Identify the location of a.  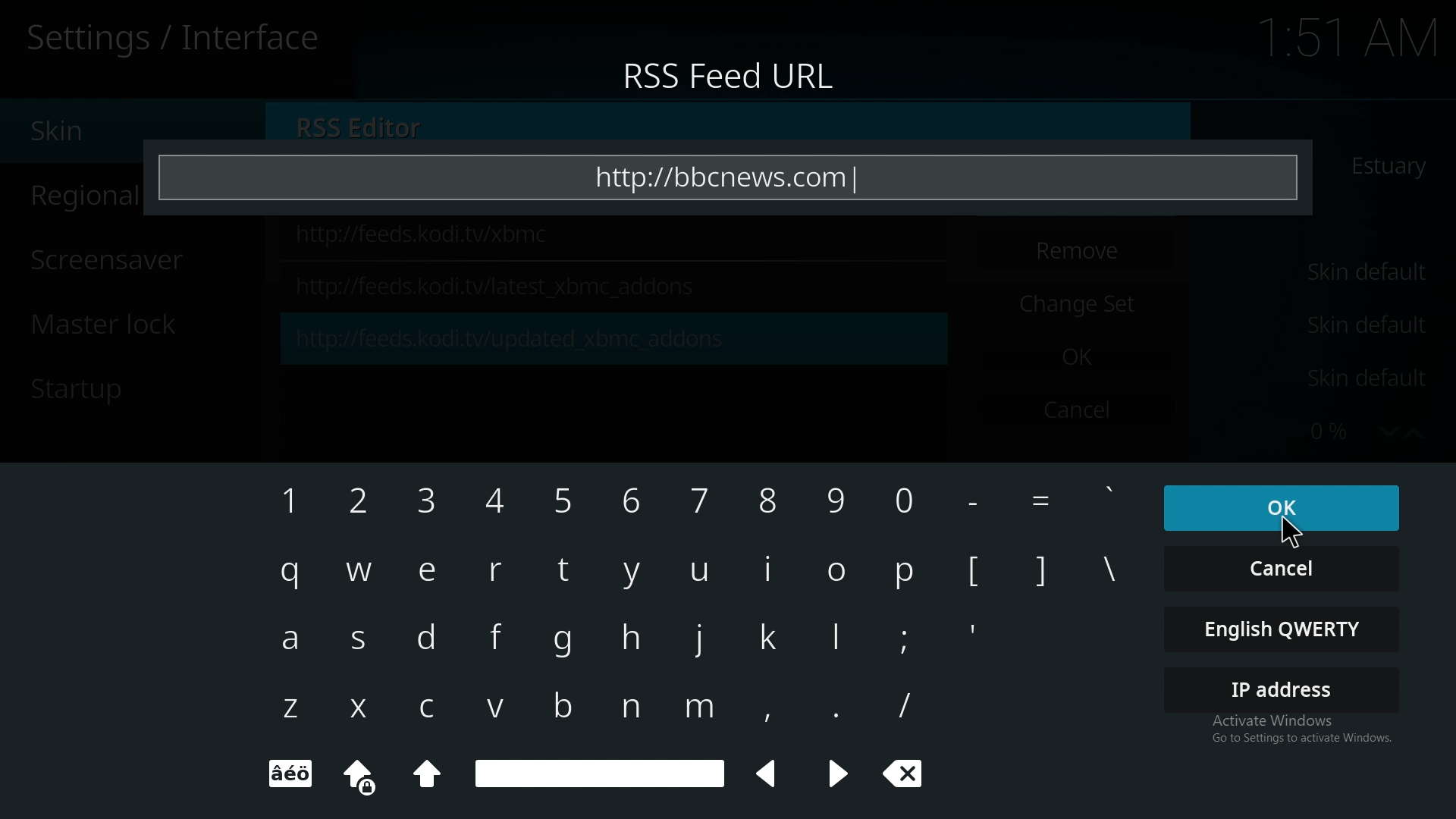
(290, 639).